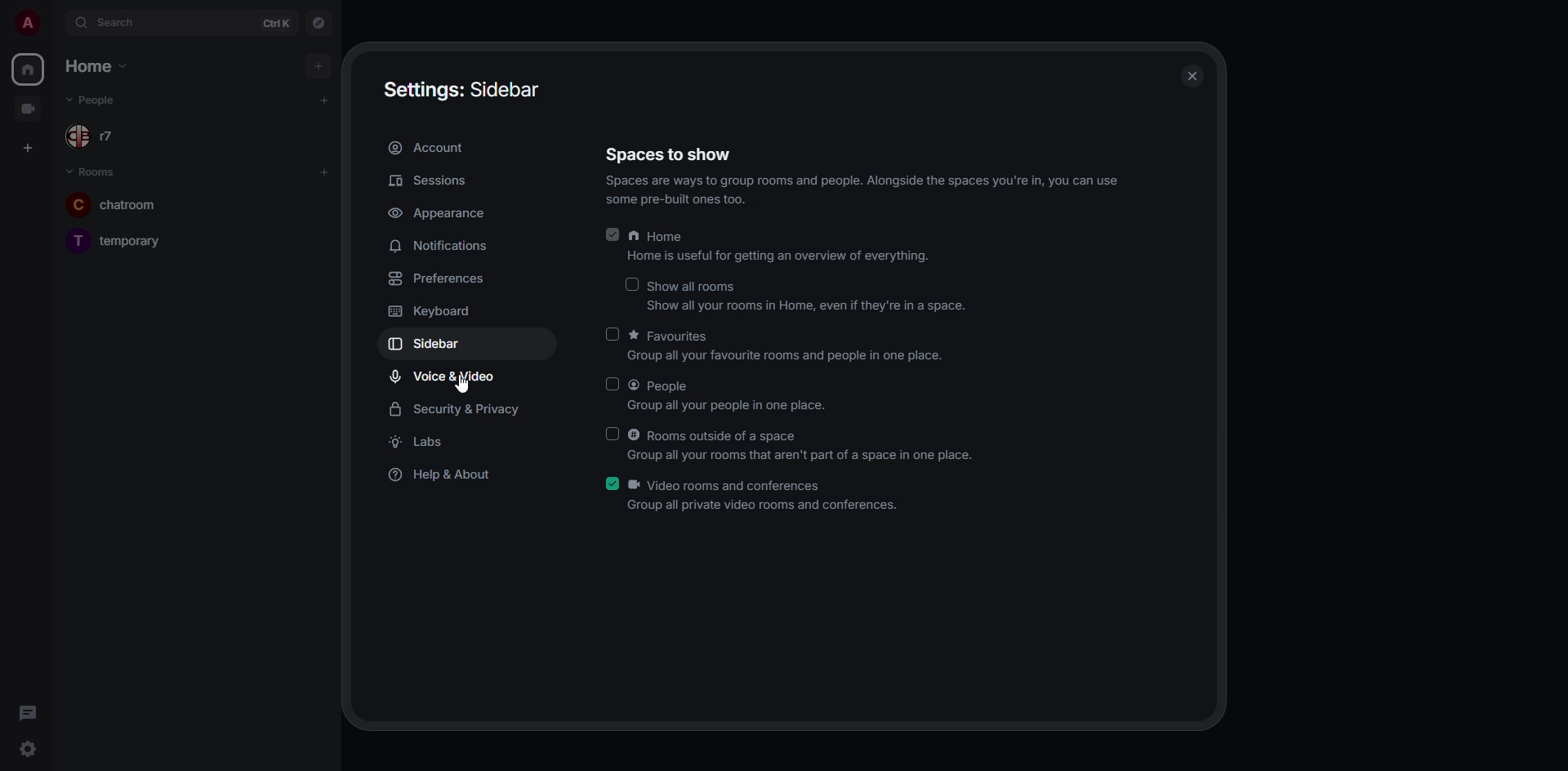 The width and height of the screenshot is (1568, 771). What do you see at coordinates (323, 100) in the screenshot?
I see `add` at bounding box center [323, 100].